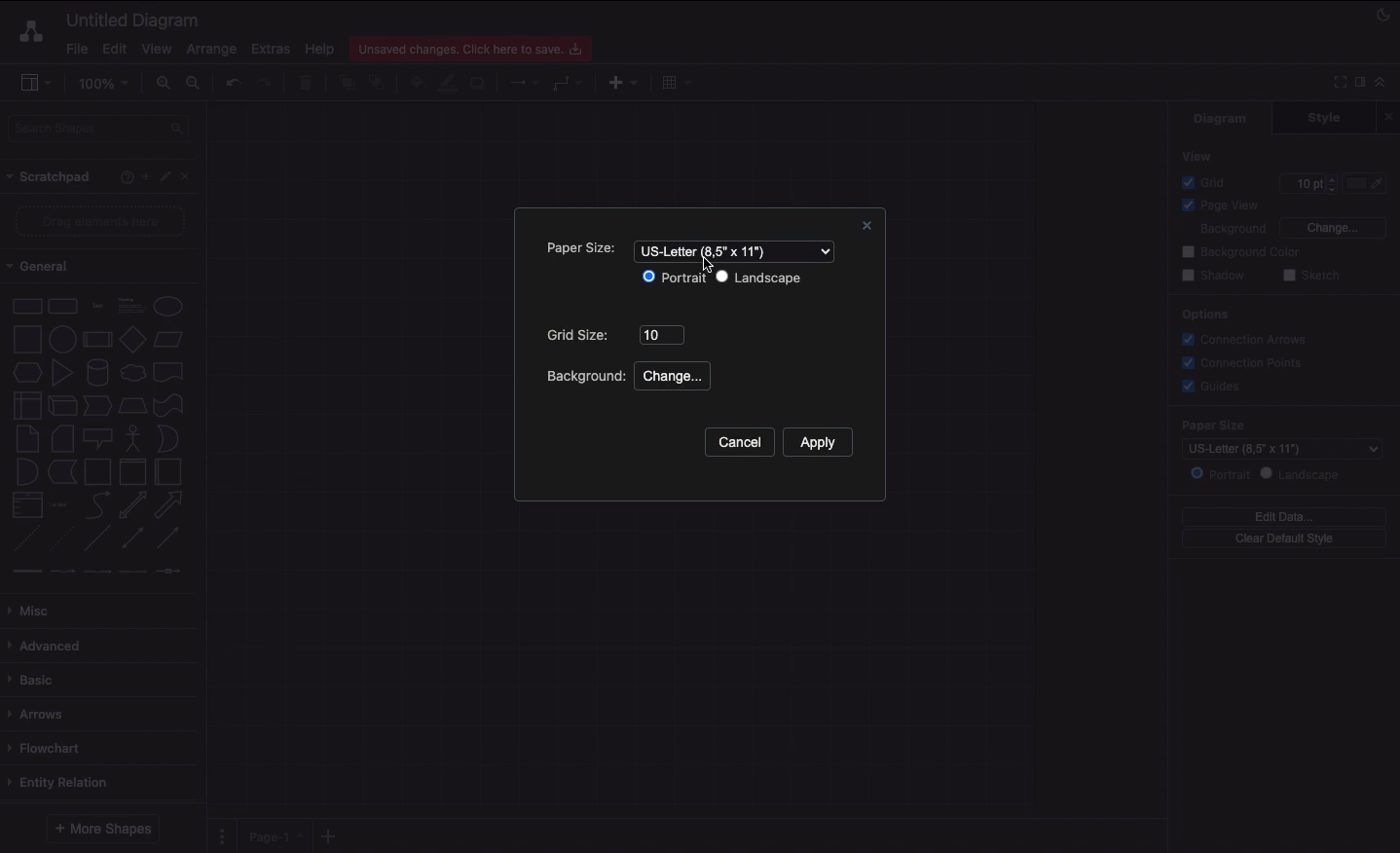 This screenshot has height=853, width=1400. Describe the element at coordinates (1220, 473) in the screenshot. I see `Portrait ` at that location.